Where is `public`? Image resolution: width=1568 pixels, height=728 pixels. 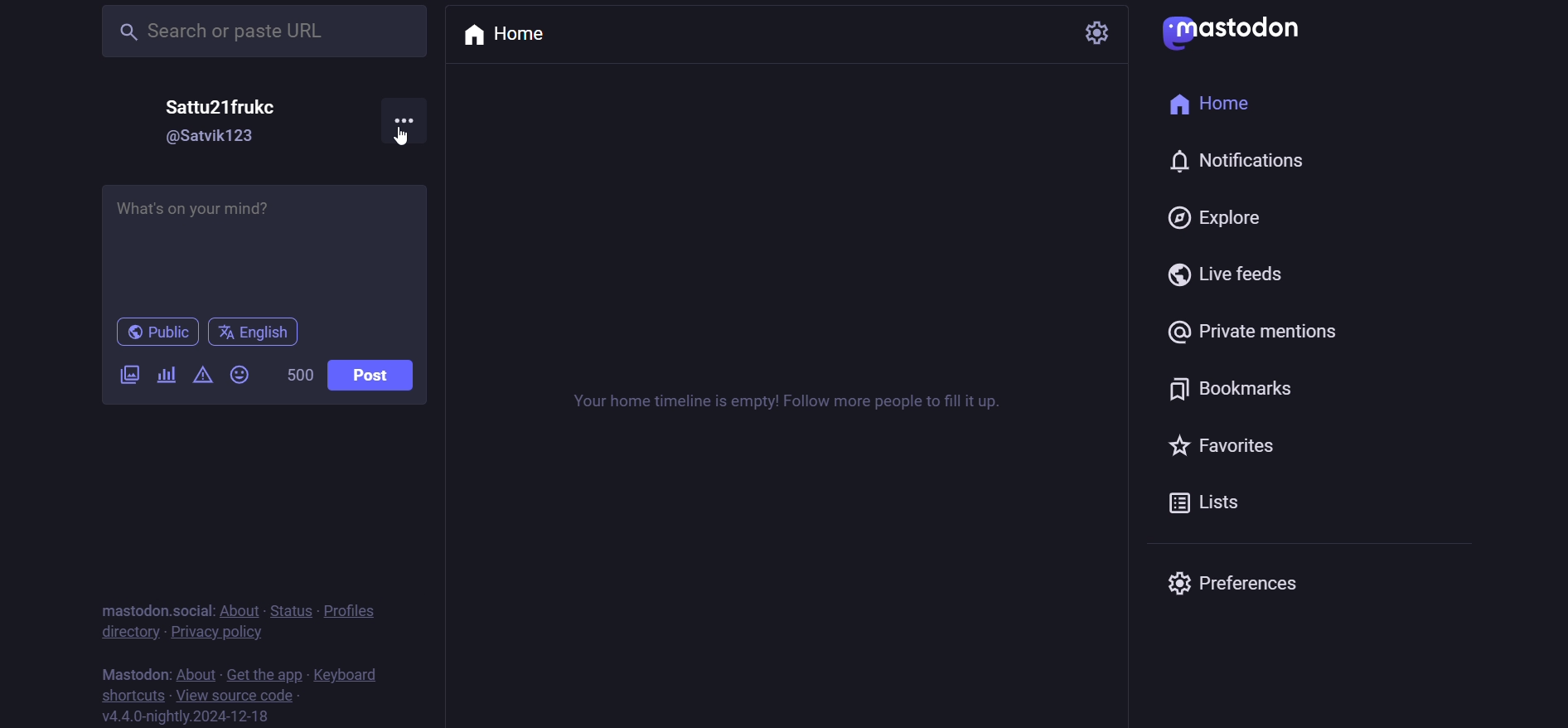 public is located at coordinates (156, 333).